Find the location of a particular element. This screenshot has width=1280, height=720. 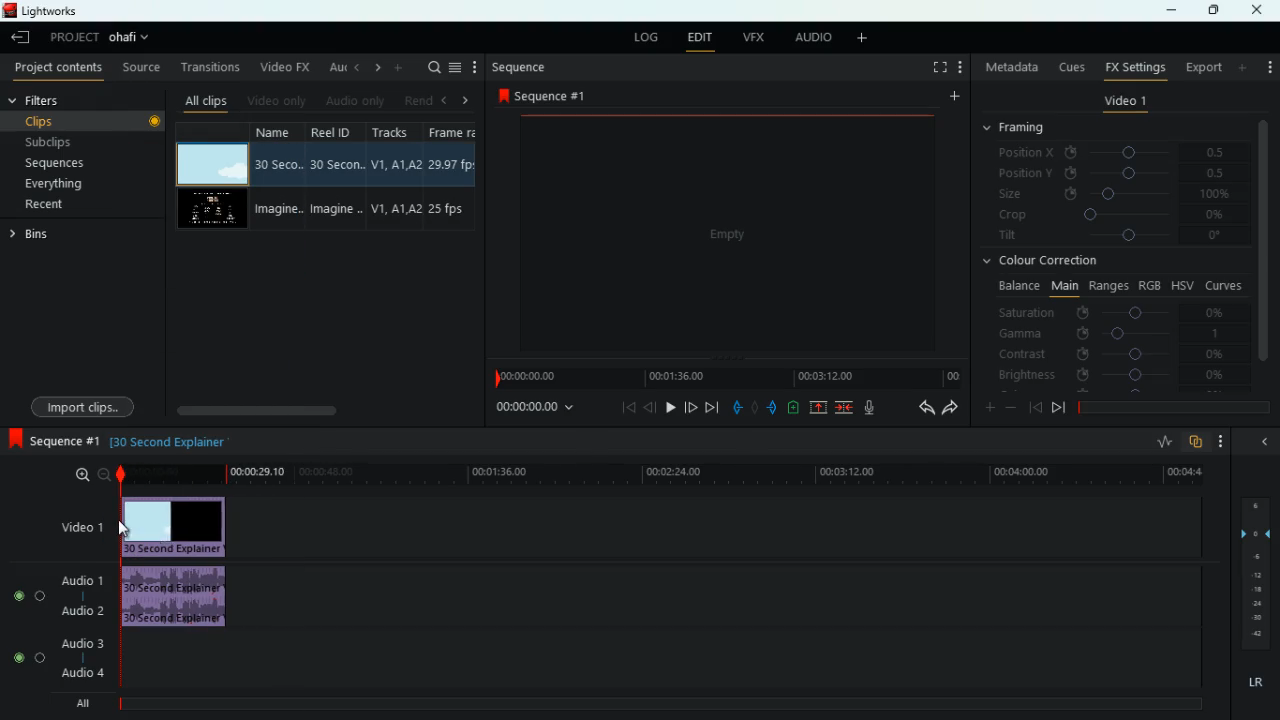

sequence is located at coordinates (518, 67).